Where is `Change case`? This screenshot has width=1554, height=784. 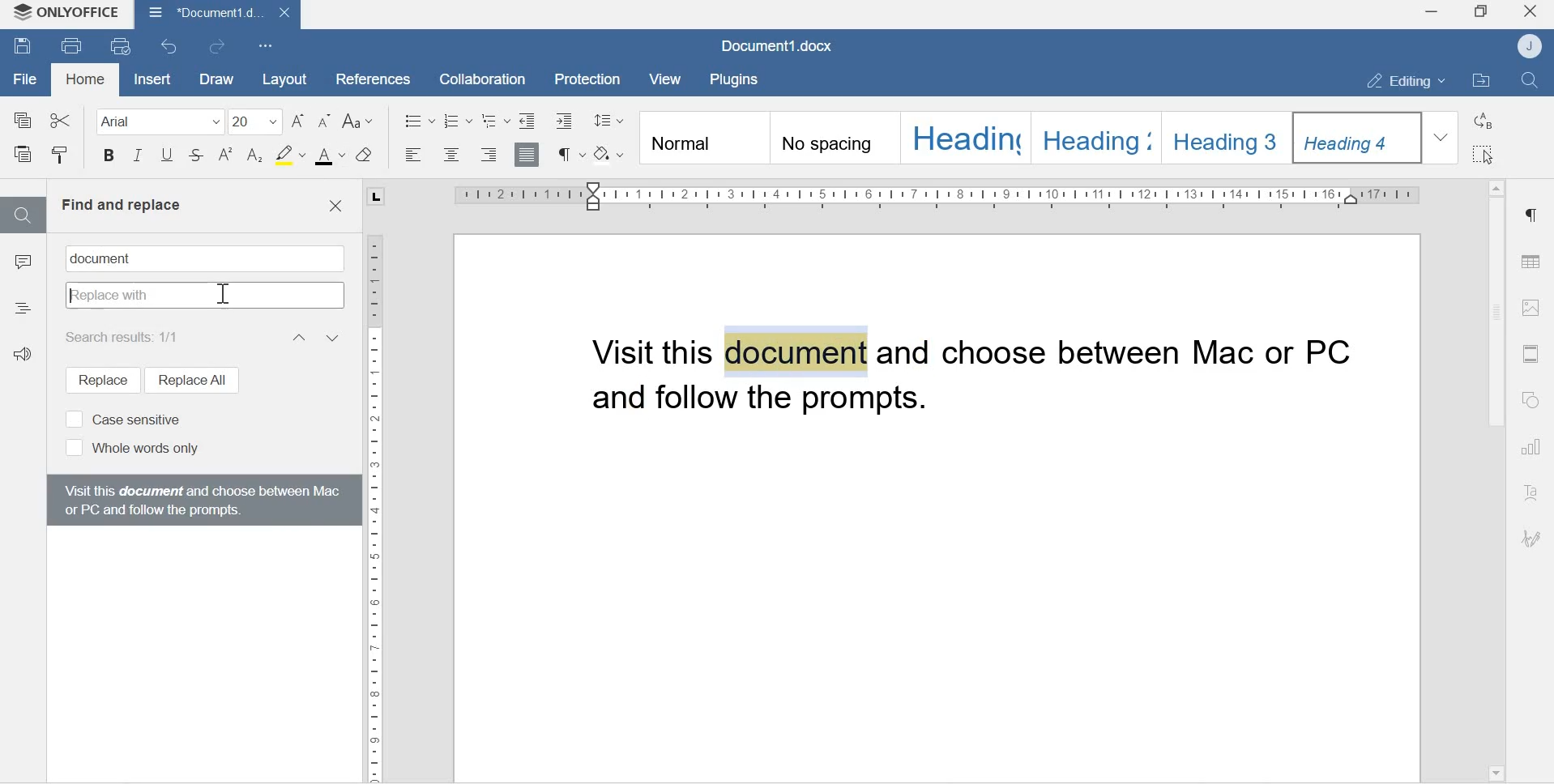
Change case is located at coordinates (361, 121).